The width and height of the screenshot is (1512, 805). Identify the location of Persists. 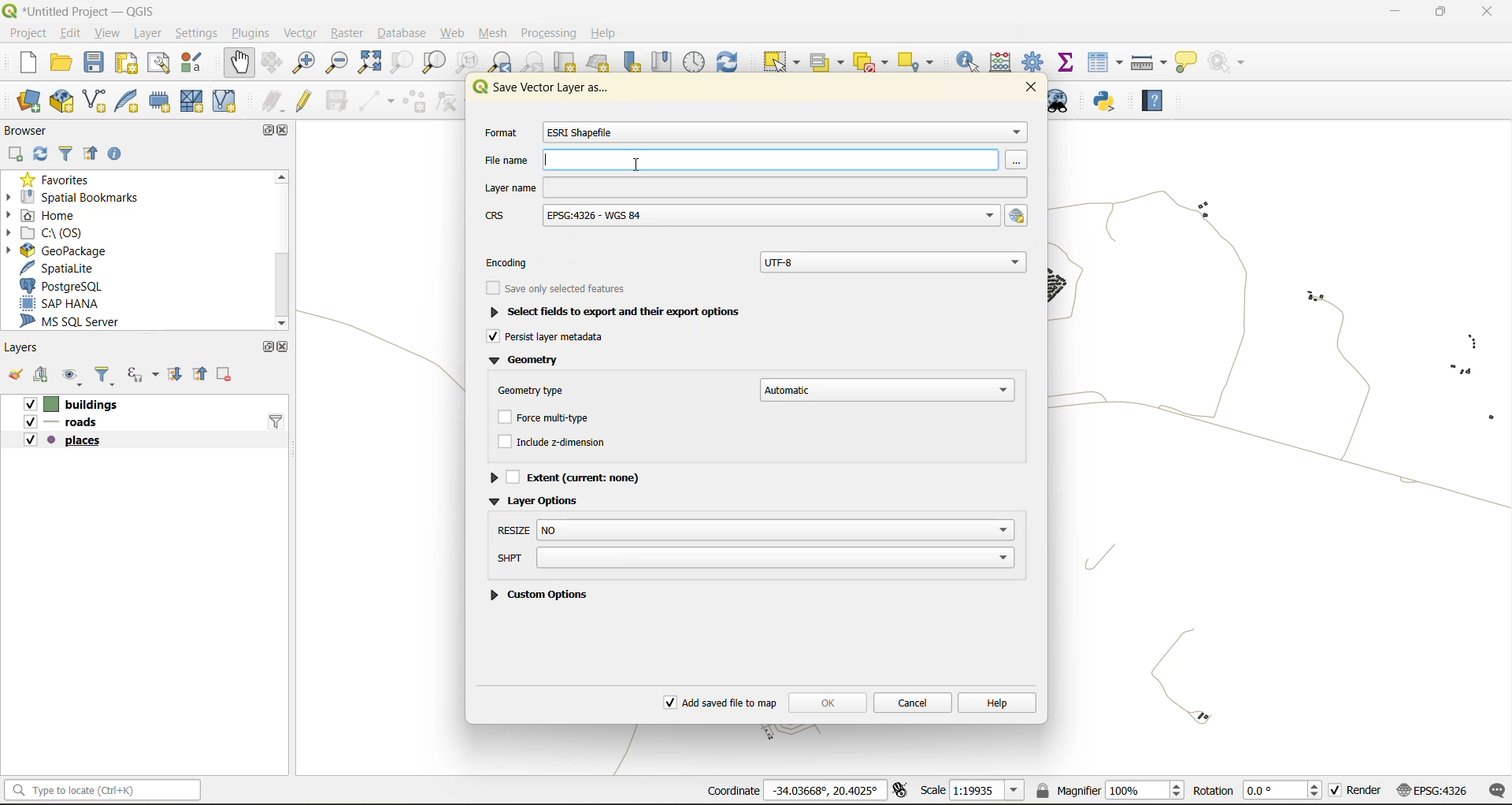
(547, 339).